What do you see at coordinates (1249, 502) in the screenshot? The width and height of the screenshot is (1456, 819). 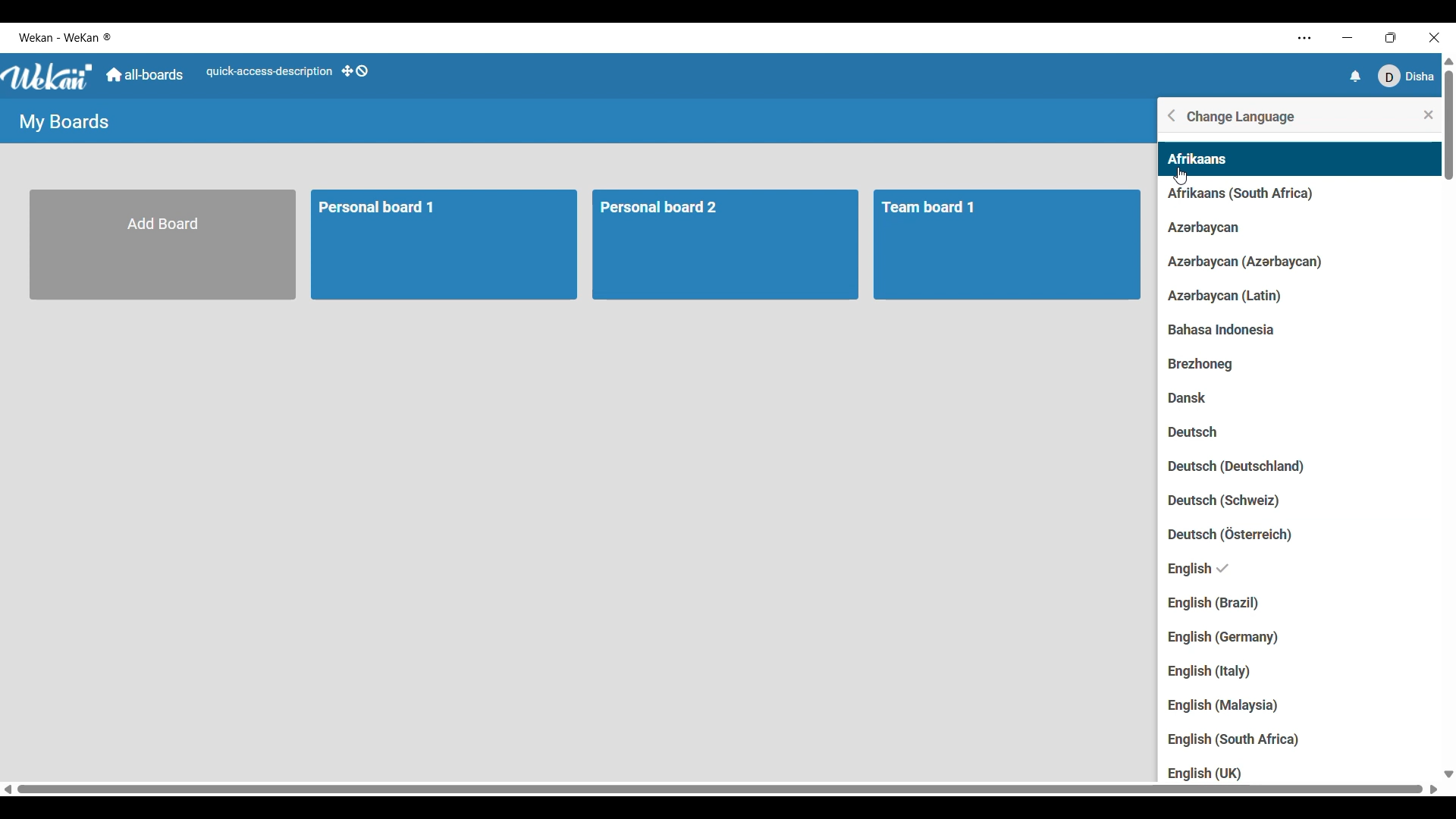 I see `Deutsch (Schweiz)` at bounding box center [1249, 502].